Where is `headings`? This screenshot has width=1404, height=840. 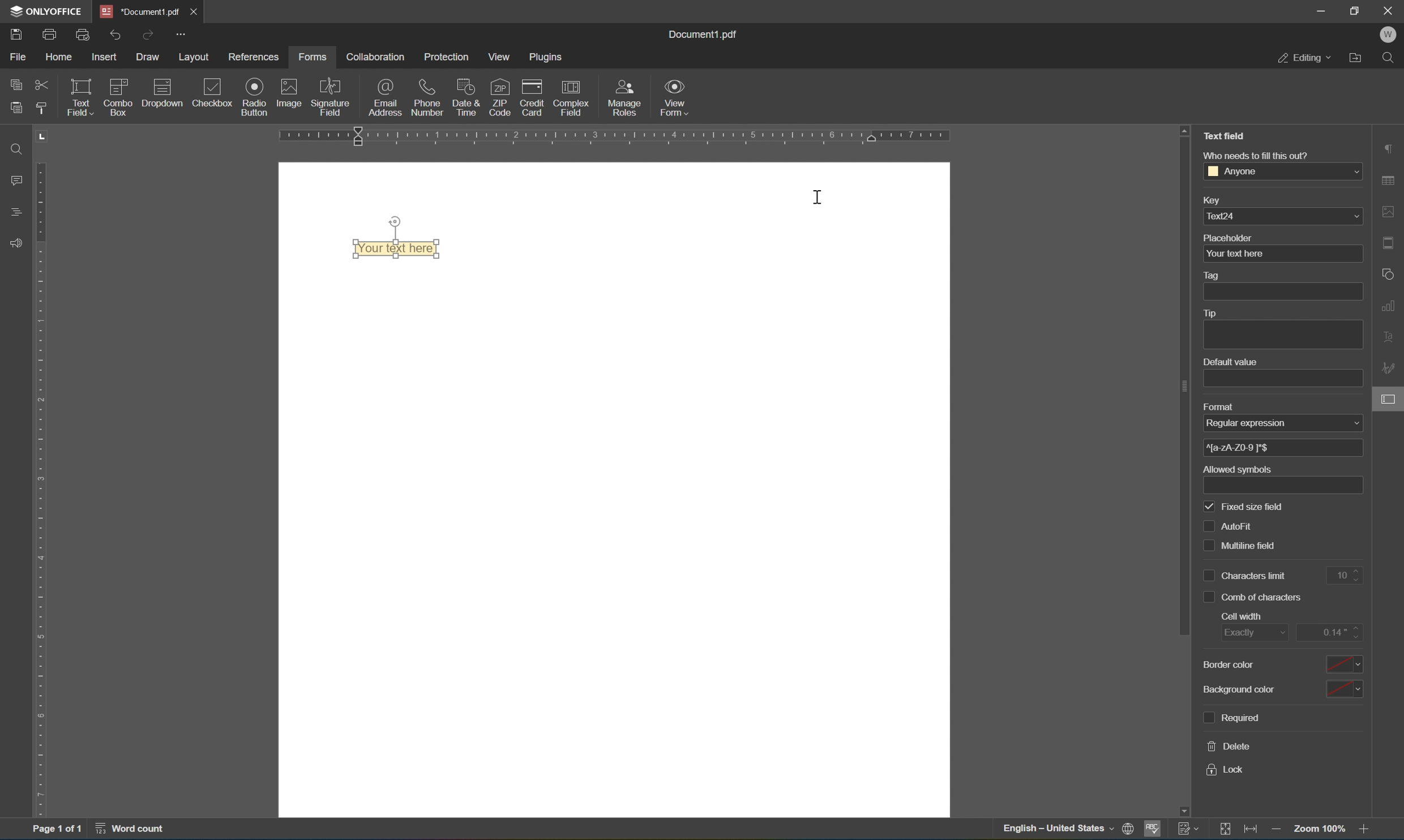
headings is located at coordinates (18, 211).